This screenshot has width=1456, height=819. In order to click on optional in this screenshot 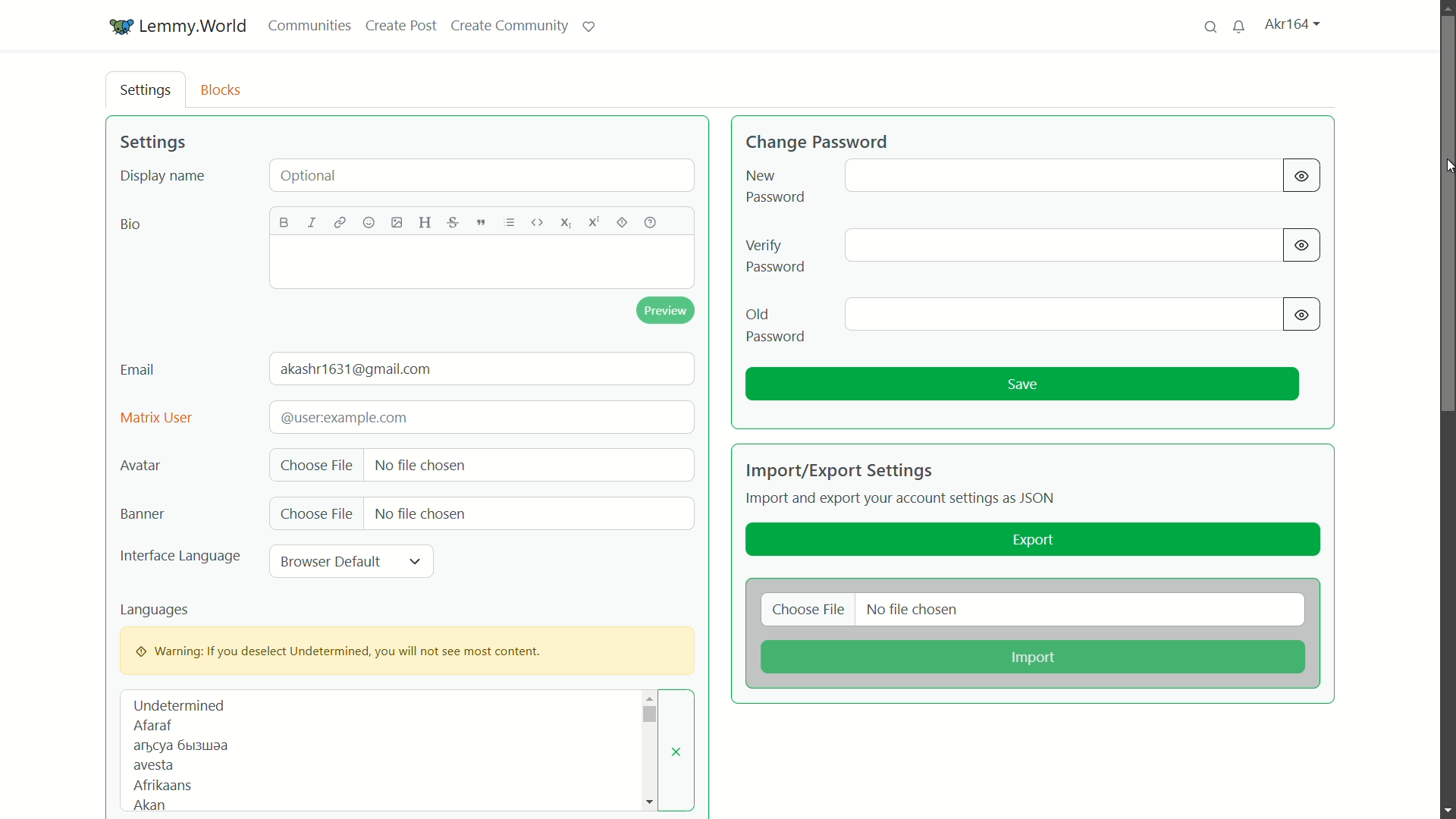, I will do `click(482, 175)`.